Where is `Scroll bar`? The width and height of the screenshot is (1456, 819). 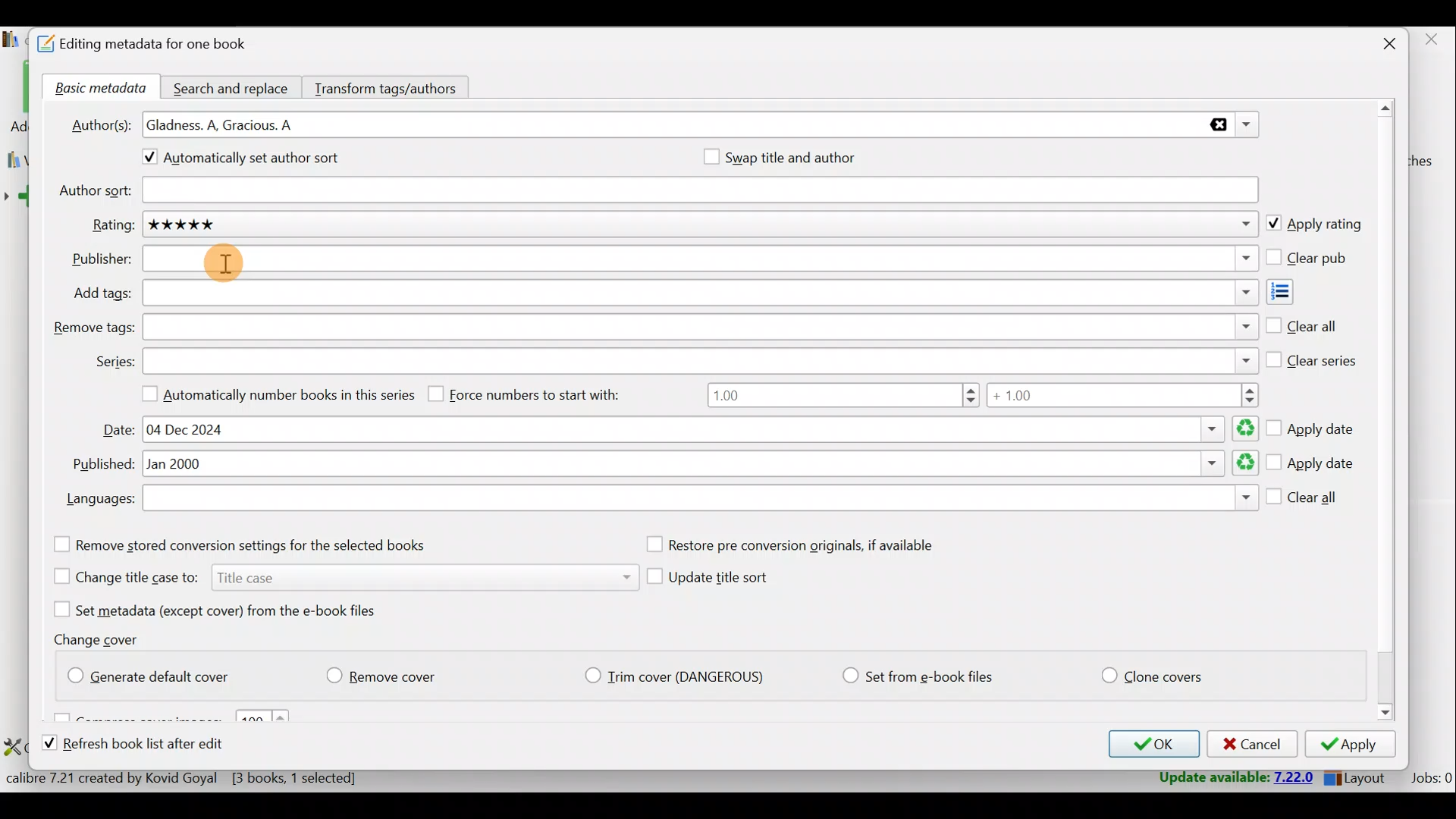
Scroll bar is located at coordinates (1387, 413).